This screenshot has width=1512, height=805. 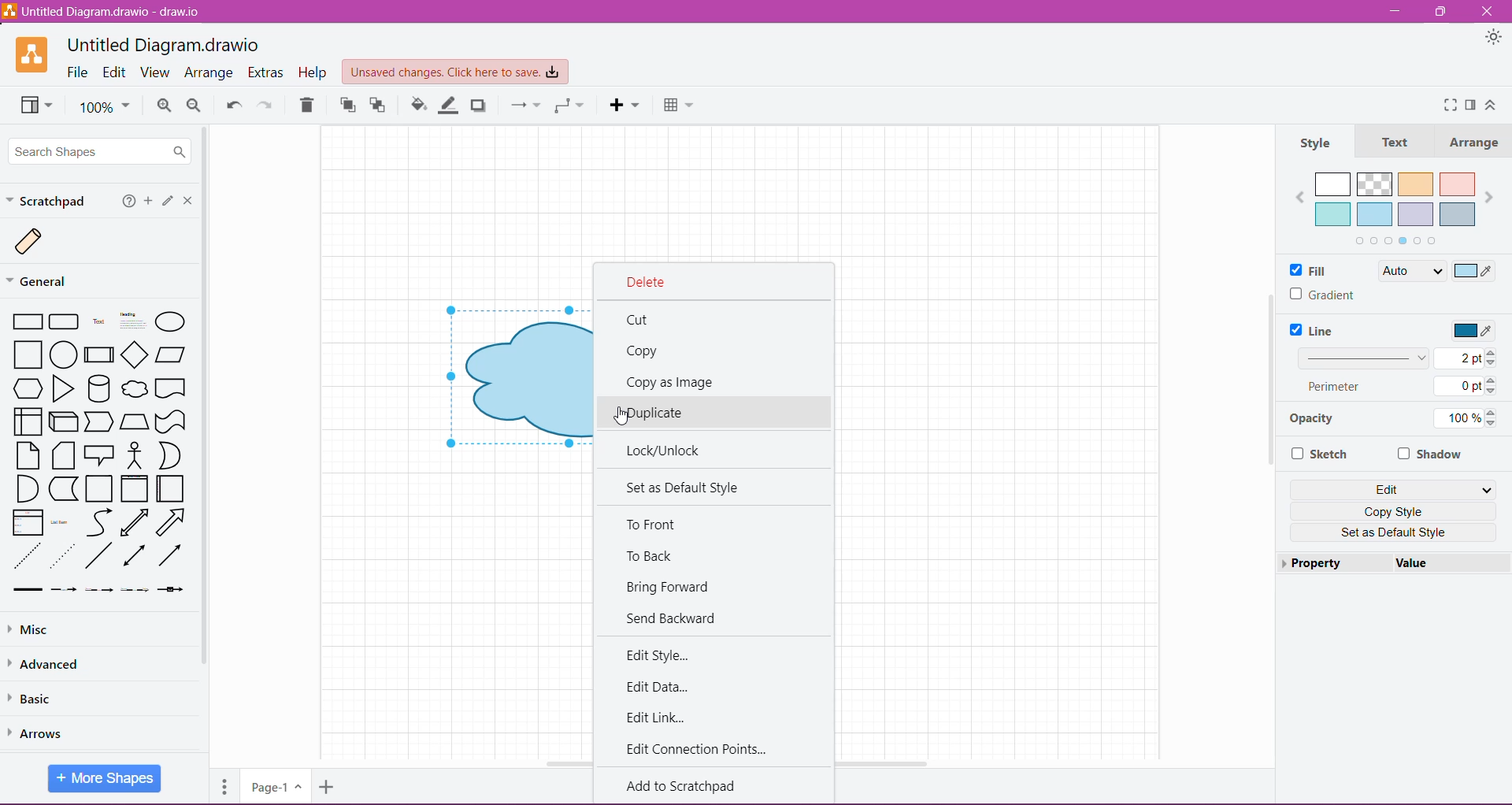 What do you see at coordinates (658, 687) in the screenshot?
I see `Edit Data` at bounding box center [658, 687].